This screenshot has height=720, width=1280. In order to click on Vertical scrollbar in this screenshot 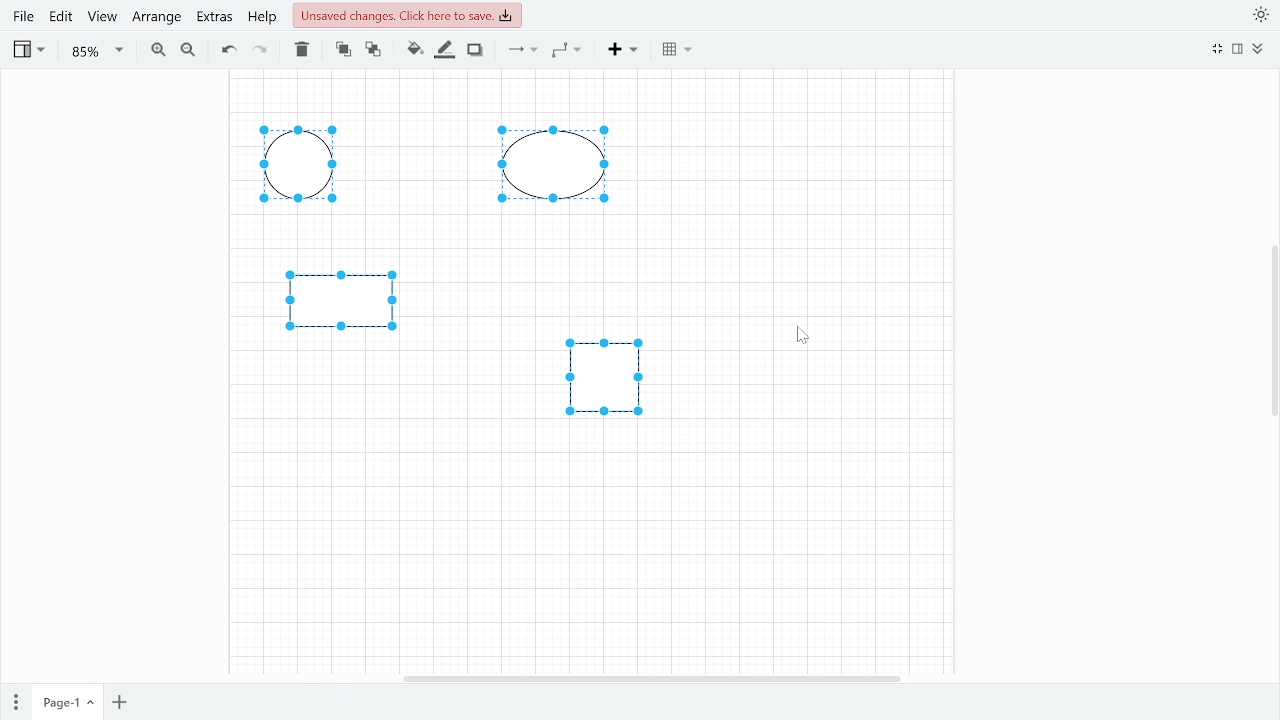, I will do `click(1270, 333)`.